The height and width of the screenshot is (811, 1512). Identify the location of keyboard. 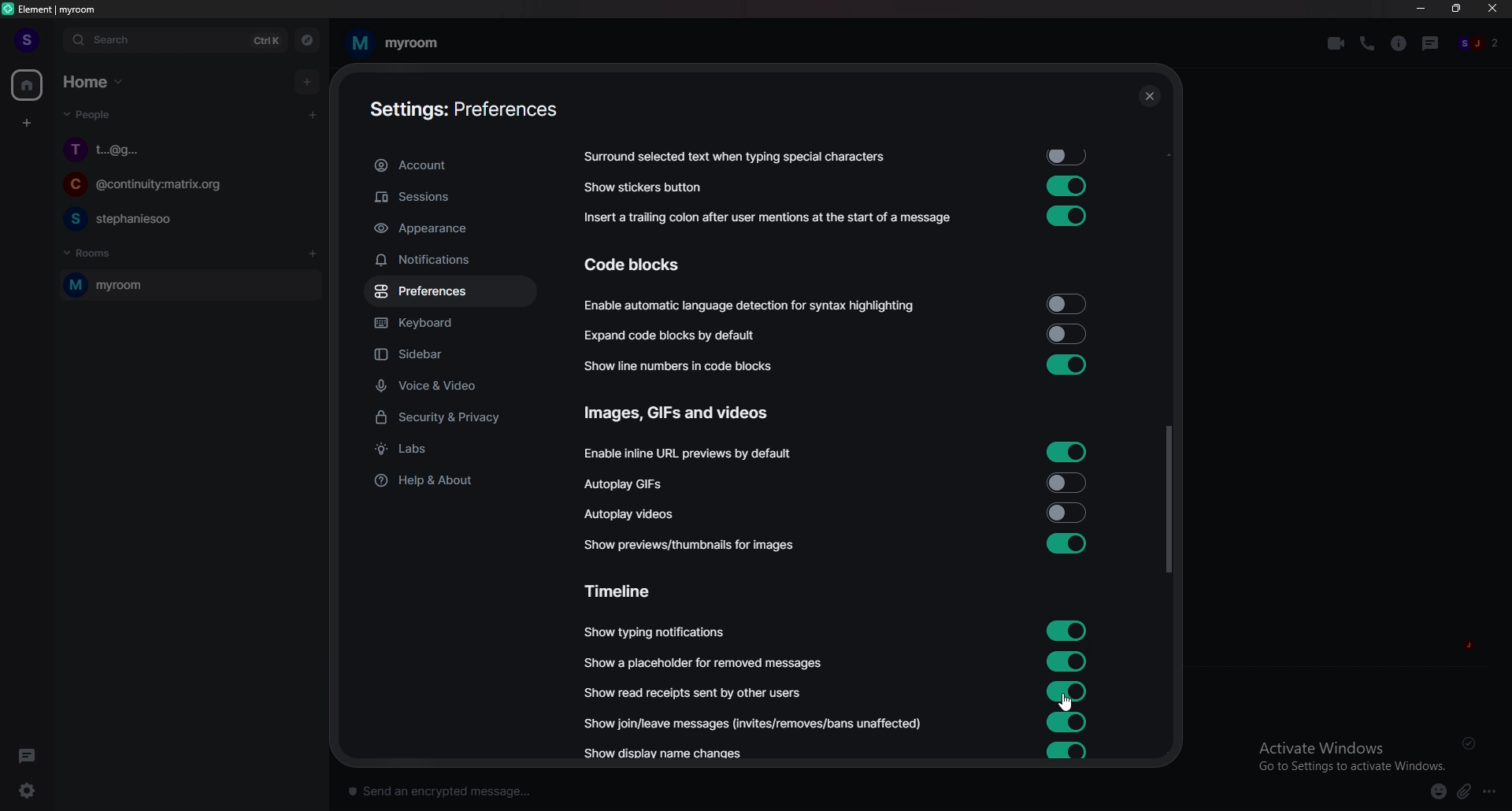
(448, 325).